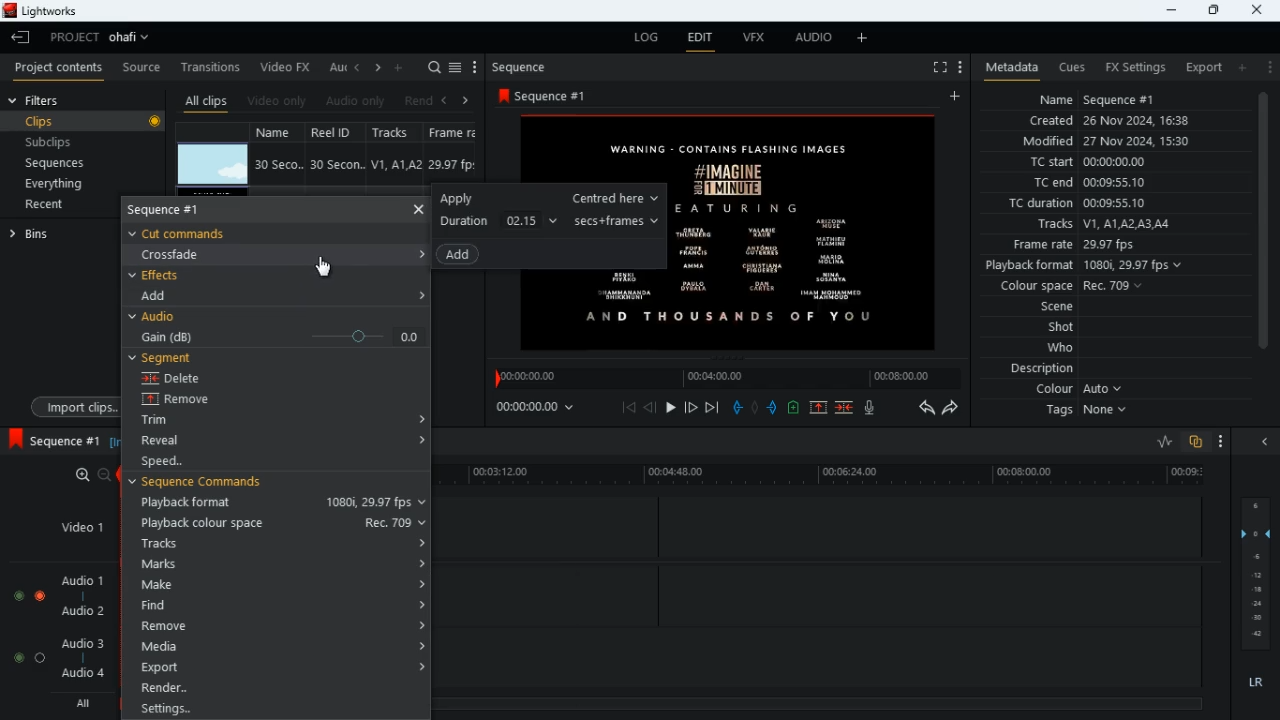  What do you see at coordinates (796, 410) in the screenshot?
I see `new` at bounding box center [796, 410].